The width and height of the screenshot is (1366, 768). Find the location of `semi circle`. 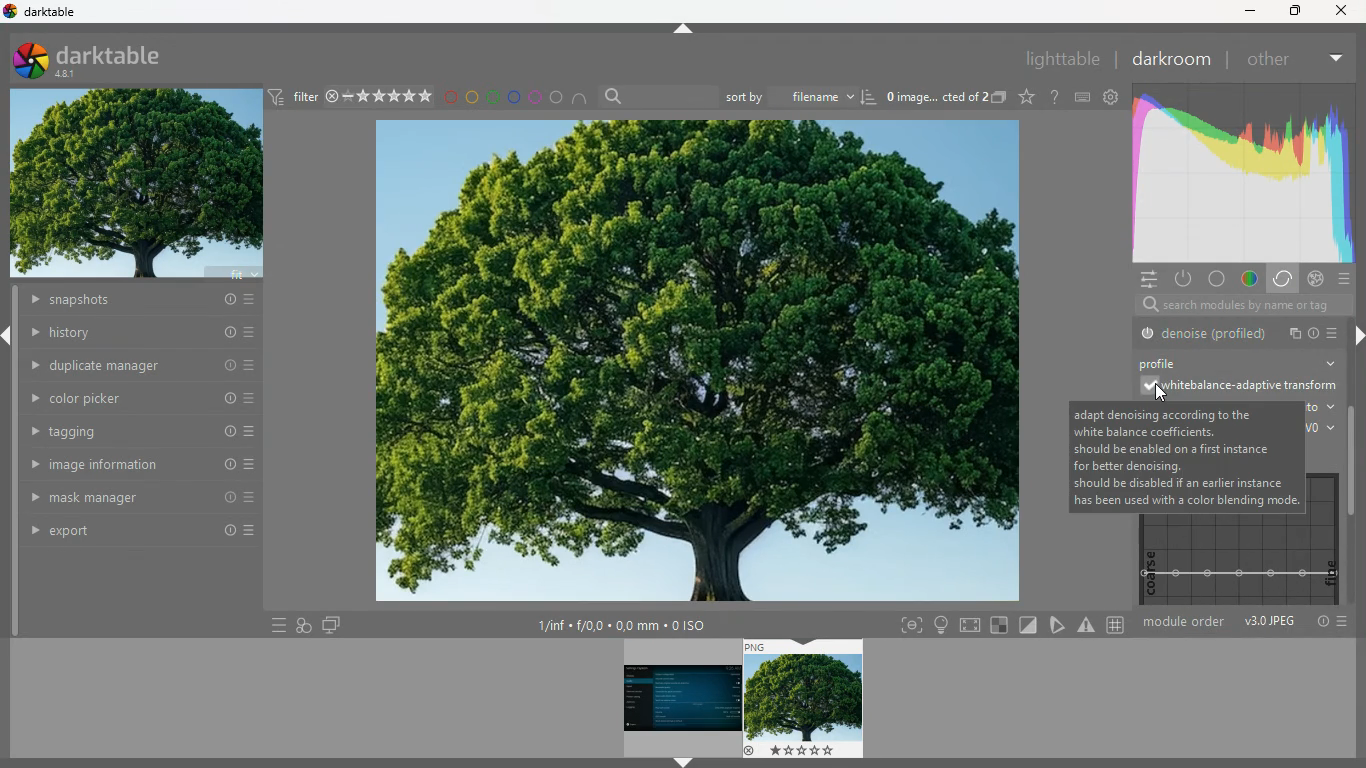

semi circle is located at coordinates (581, 97).